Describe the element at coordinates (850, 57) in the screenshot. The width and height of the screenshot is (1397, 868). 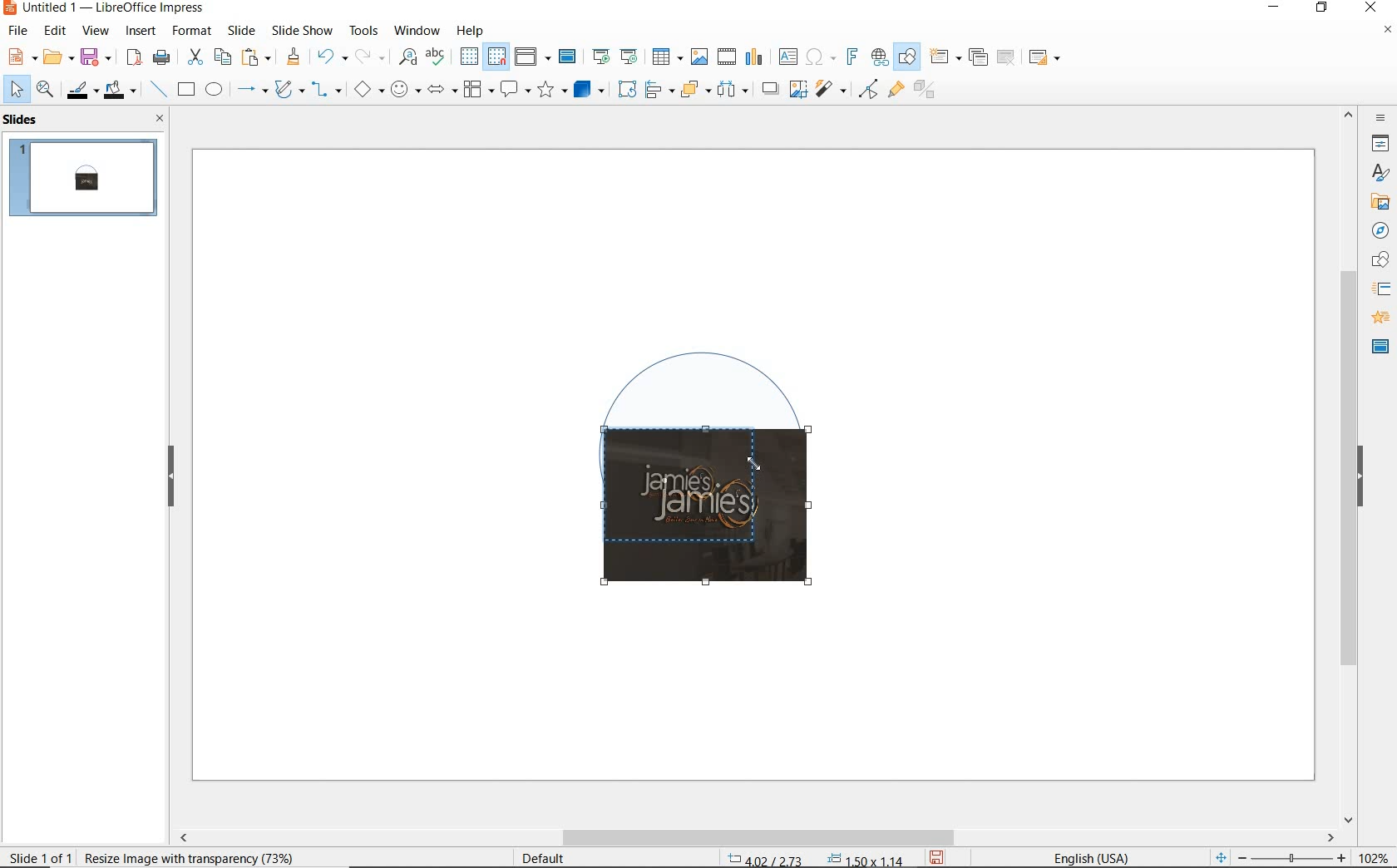
I see `insert fontwork text` at that location.